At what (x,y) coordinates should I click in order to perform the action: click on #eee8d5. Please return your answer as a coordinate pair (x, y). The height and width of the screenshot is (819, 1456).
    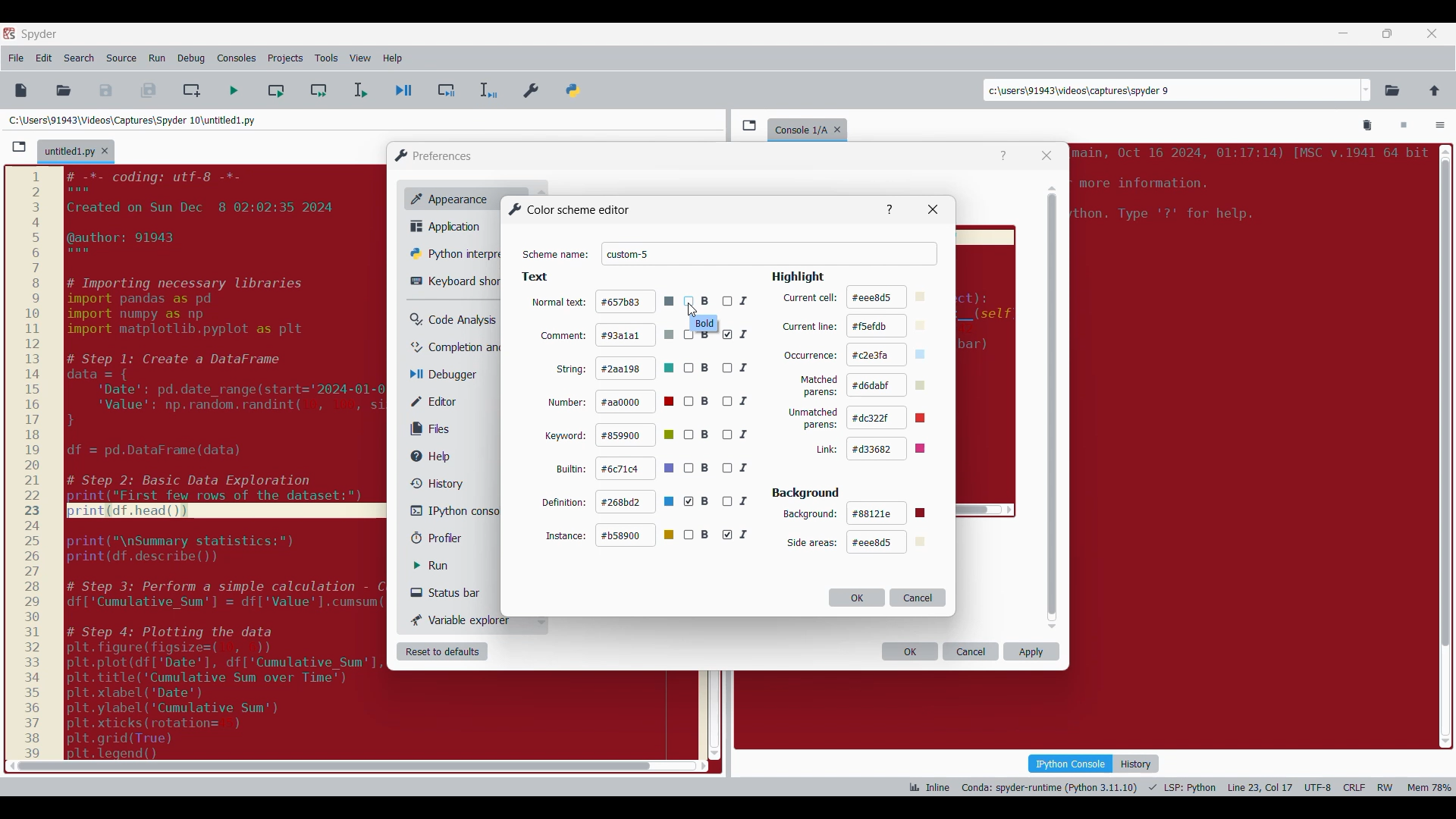
    Looking at the image, I should click on (886, 542).